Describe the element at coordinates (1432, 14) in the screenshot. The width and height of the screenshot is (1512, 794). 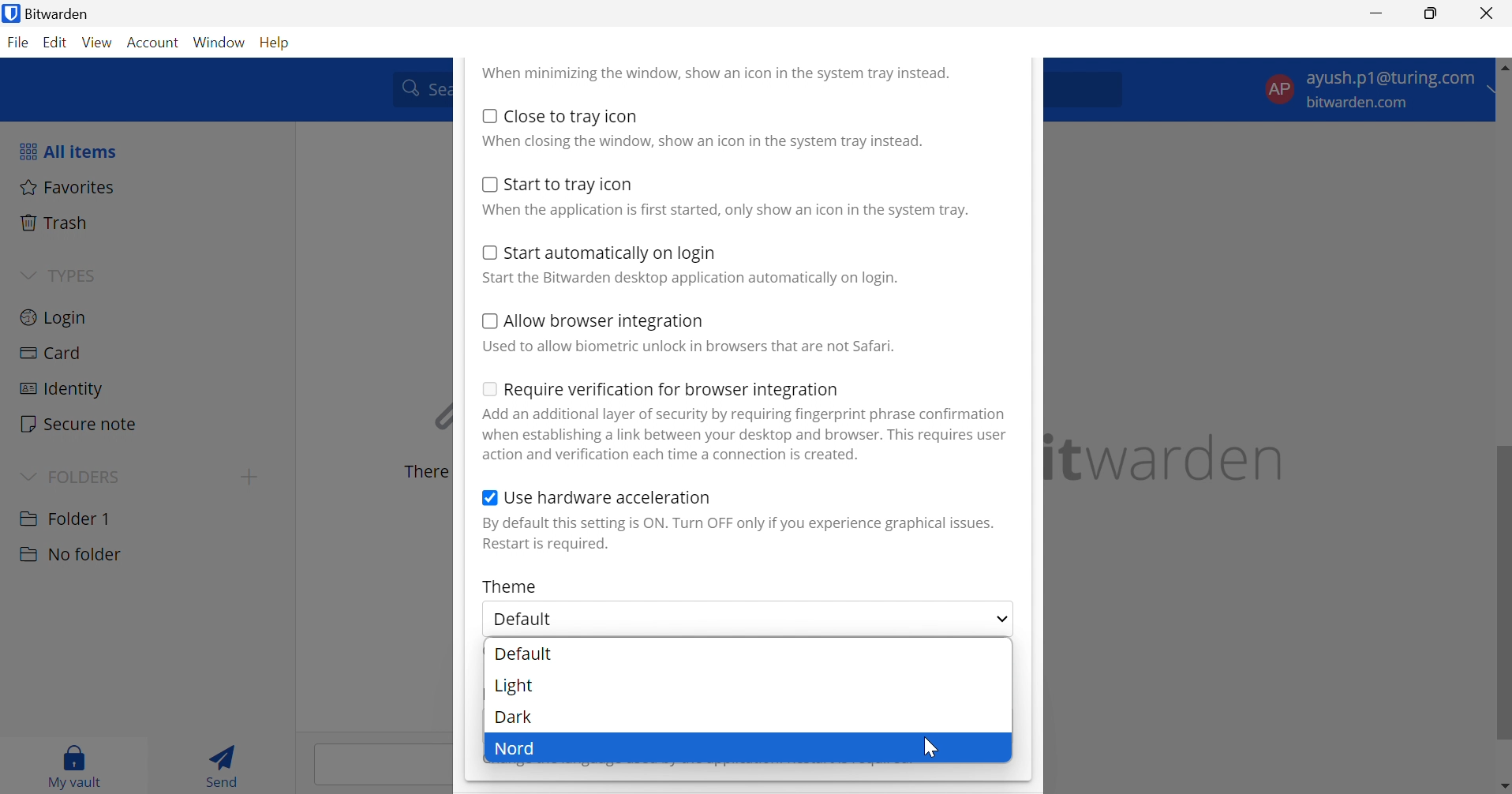
I see `Restore` at that location.